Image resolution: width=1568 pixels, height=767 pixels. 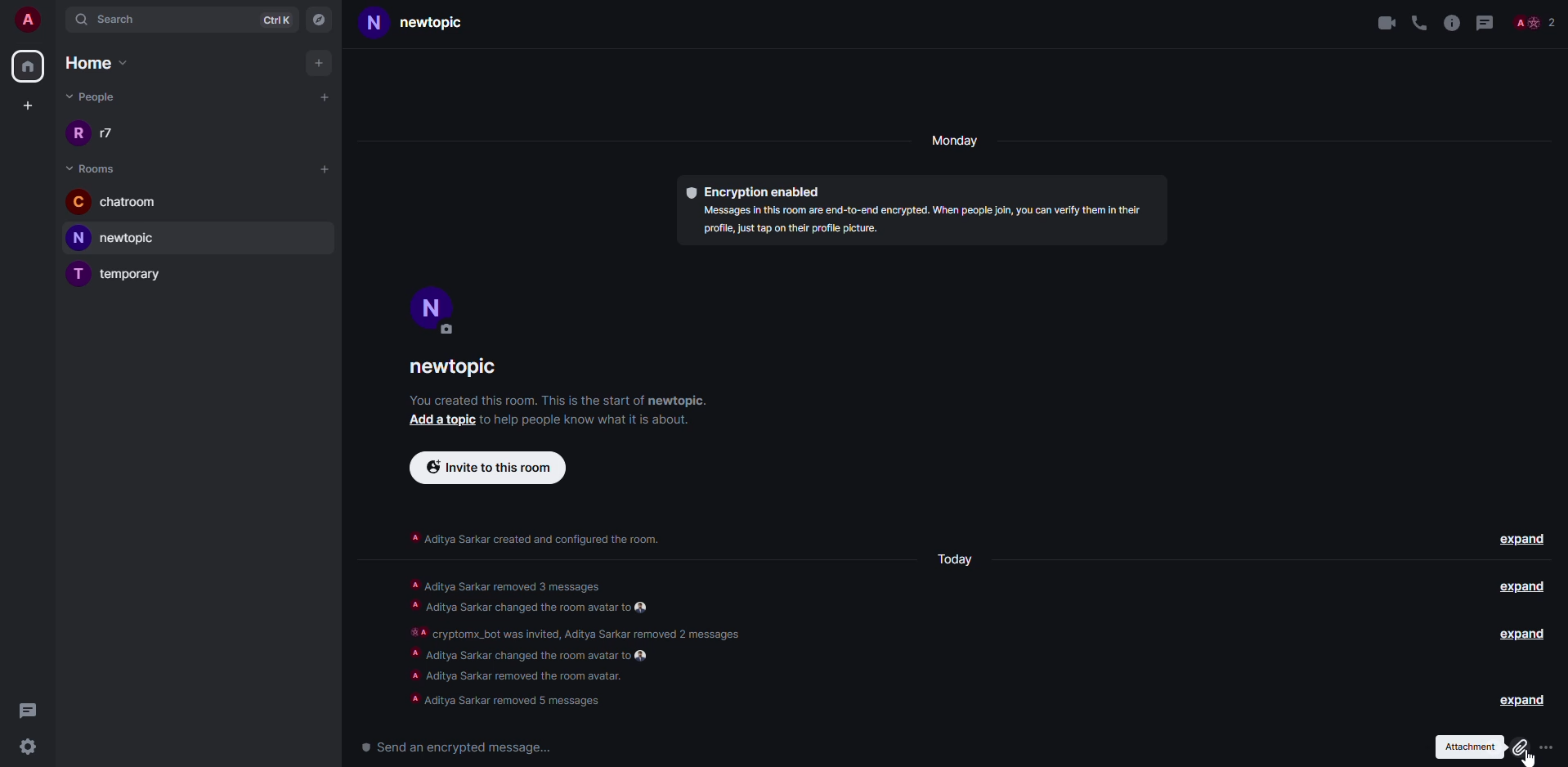 I want to click on click, so click(x=1520, y=747).